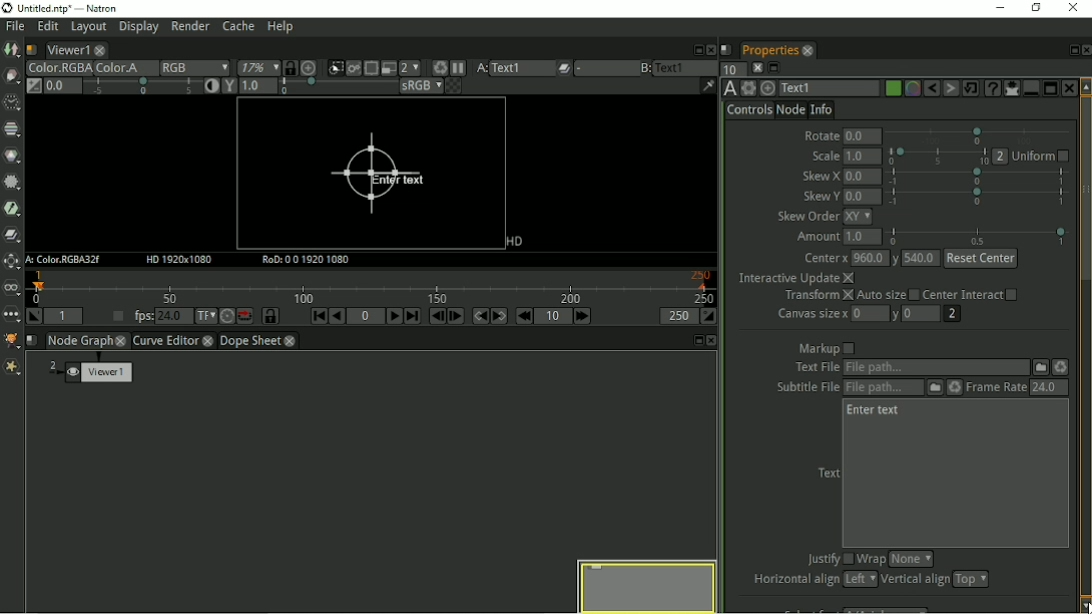  I want to click on Play forward, so click(395, 316).